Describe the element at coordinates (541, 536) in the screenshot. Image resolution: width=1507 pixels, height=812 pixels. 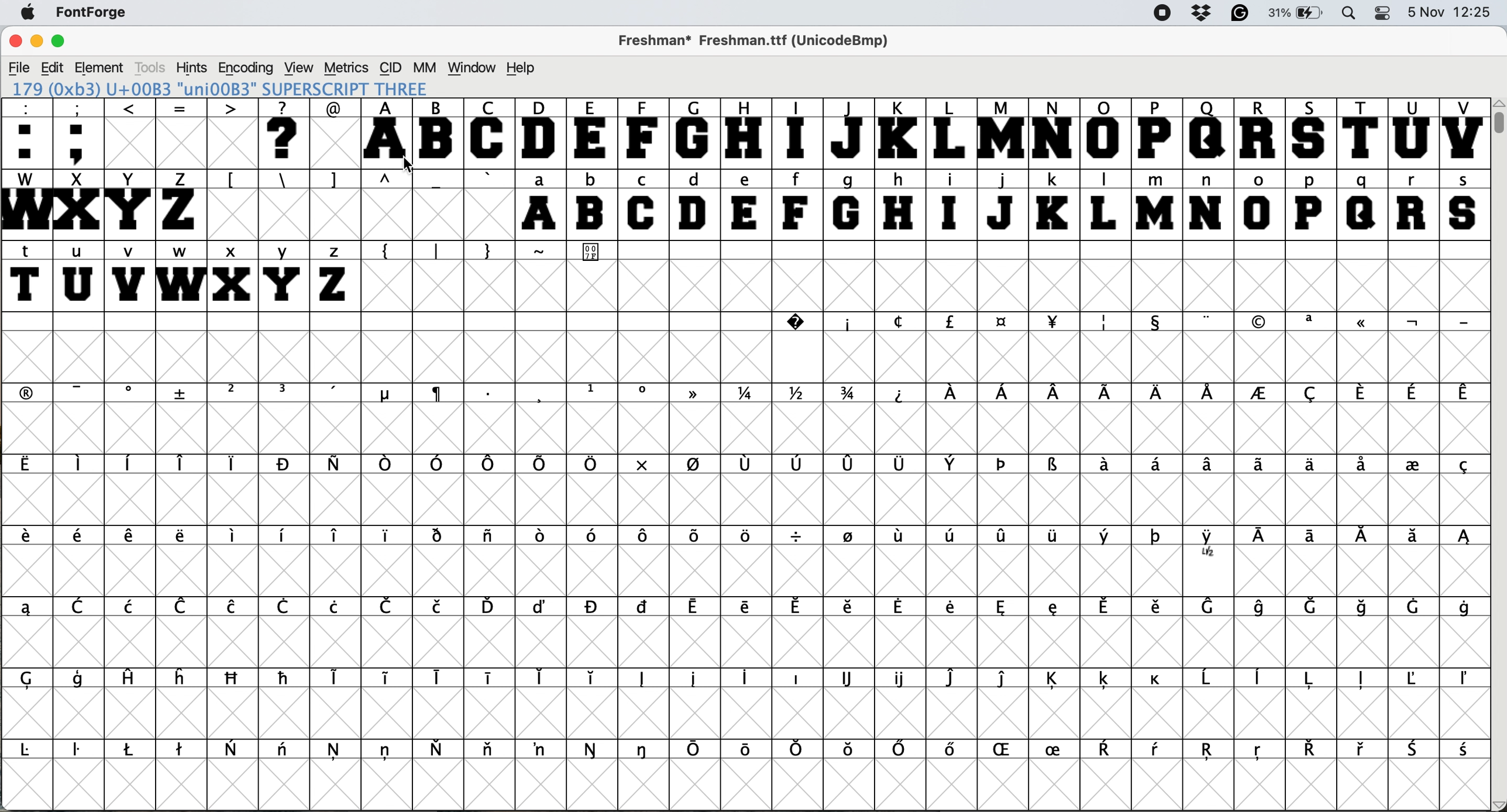
I see `symbol` at that location.